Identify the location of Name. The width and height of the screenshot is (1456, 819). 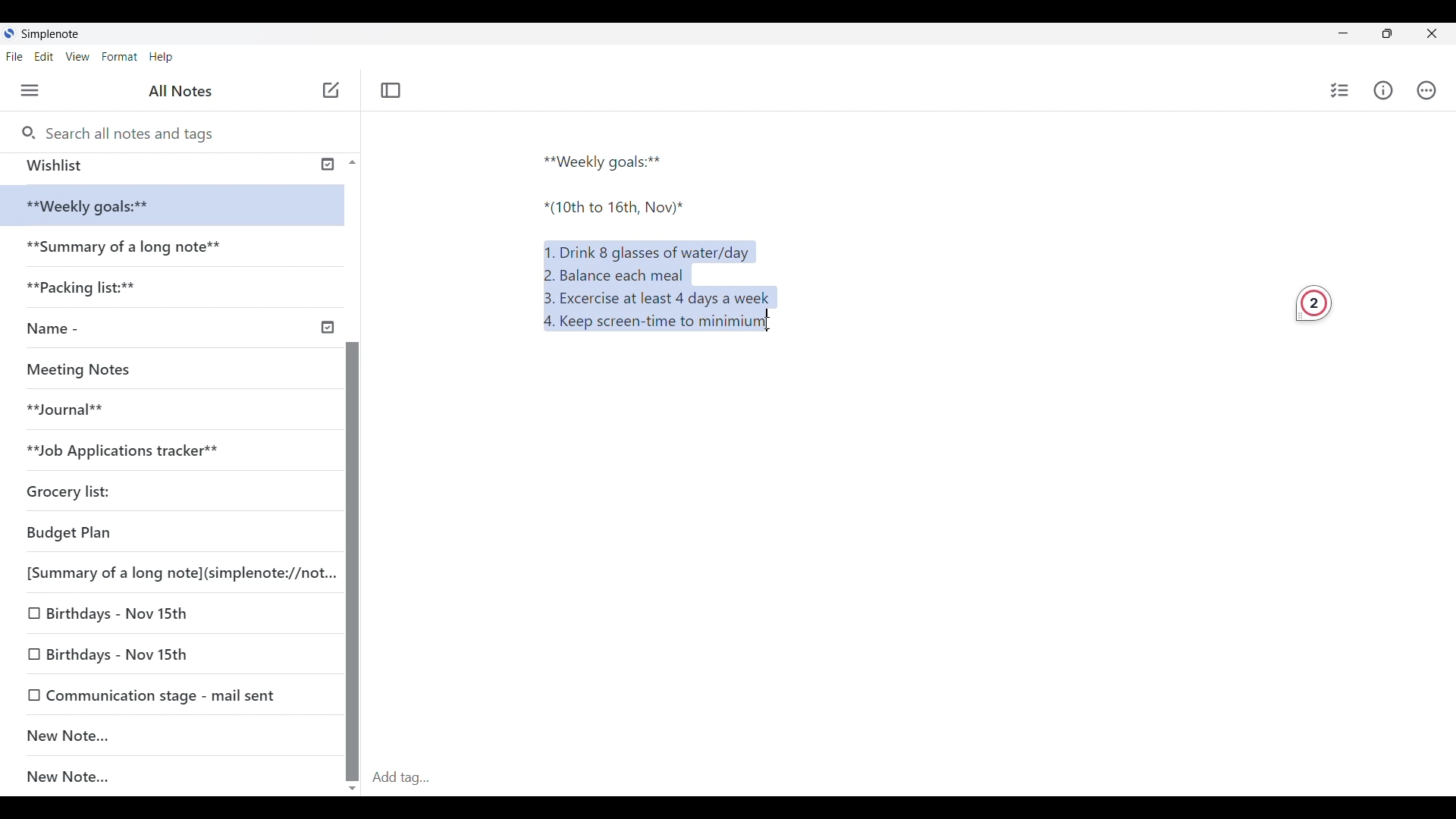
(177, 329).